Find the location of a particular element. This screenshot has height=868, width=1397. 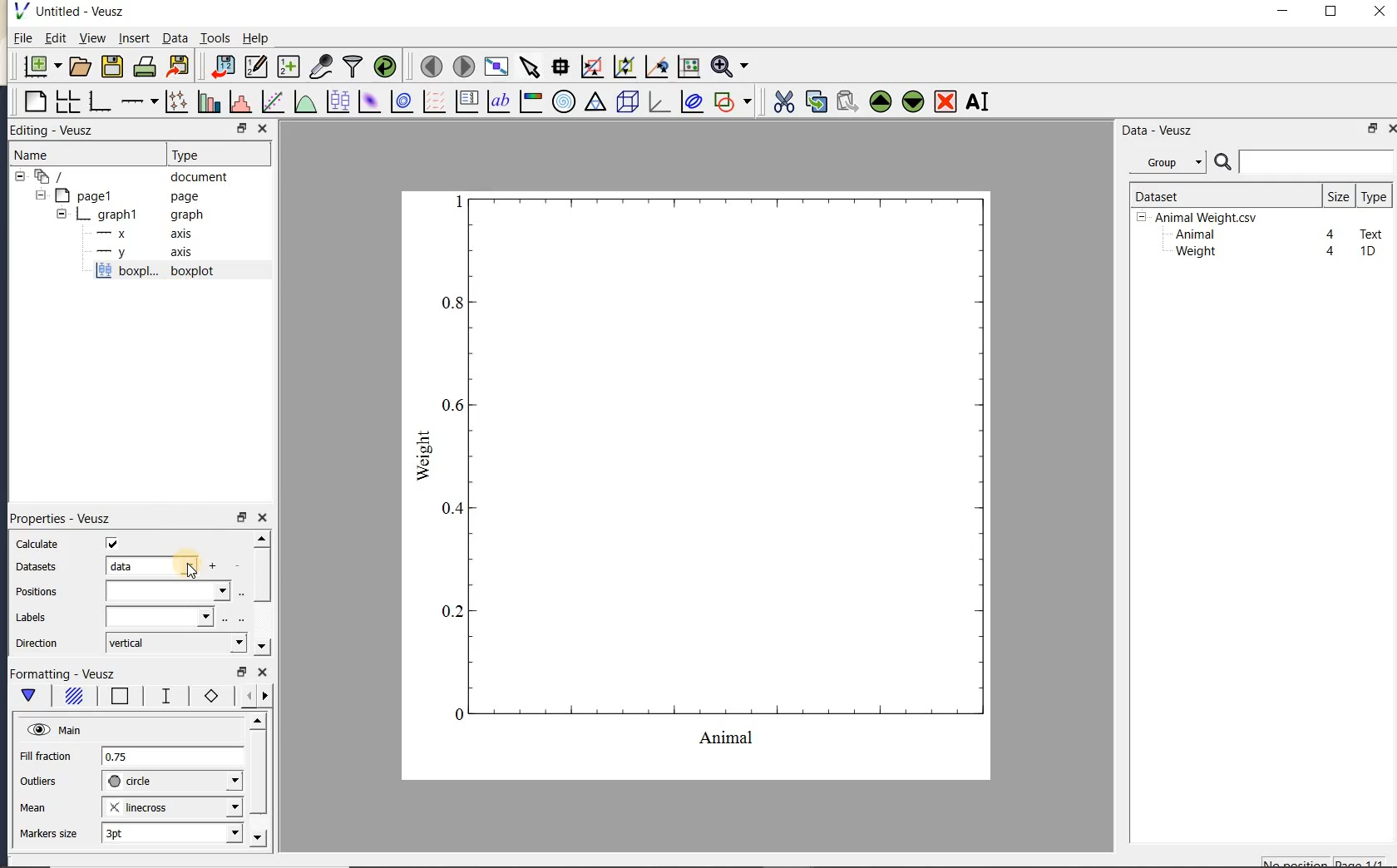

image color bar is located at coordinates (531, 101).